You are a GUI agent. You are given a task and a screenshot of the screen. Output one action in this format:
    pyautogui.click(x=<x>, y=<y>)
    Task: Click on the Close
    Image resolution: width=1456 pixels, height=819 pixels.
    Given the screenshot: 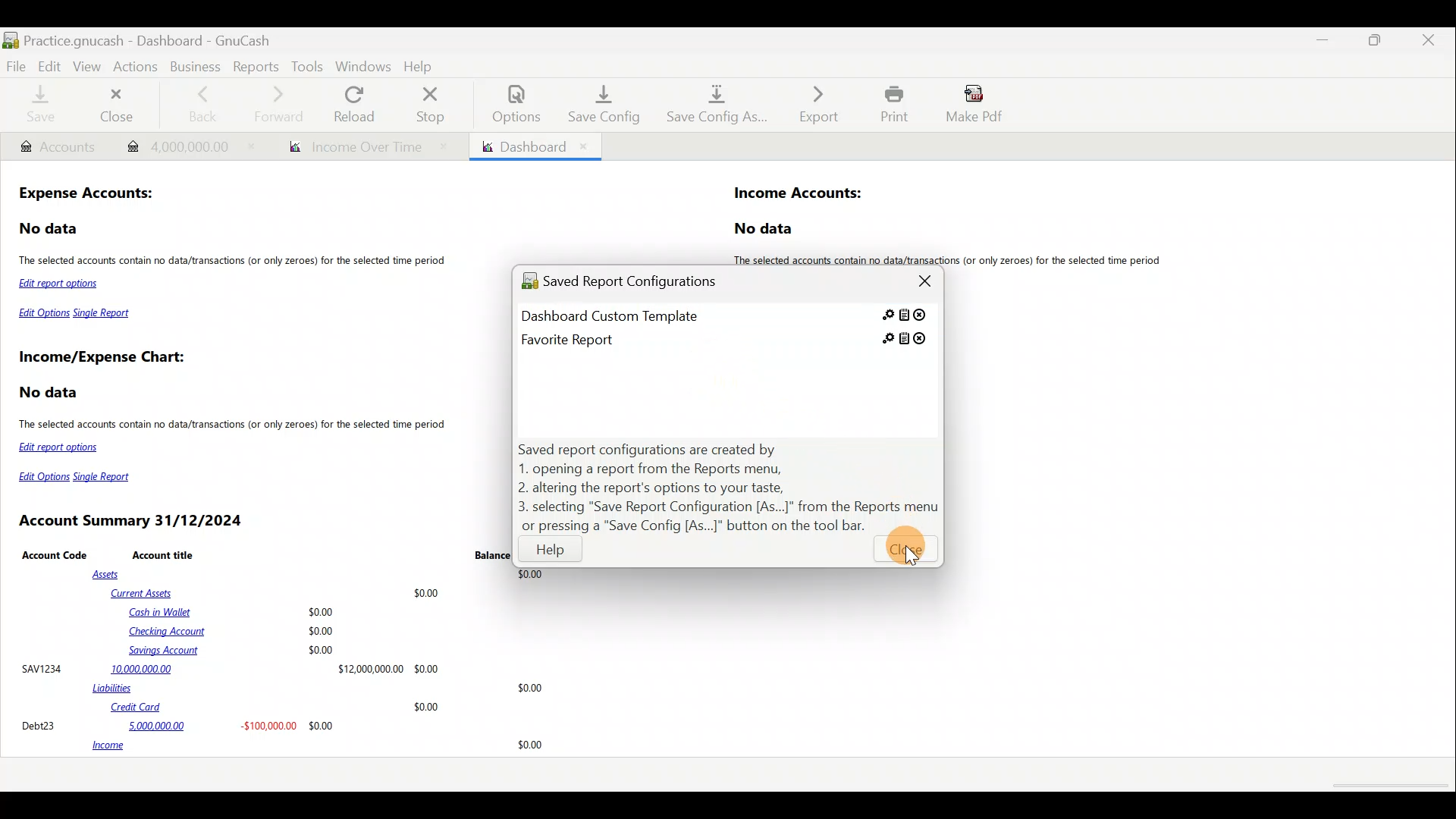 What is the action you would take?
    pyautogui.click(x=120, y=105)
    